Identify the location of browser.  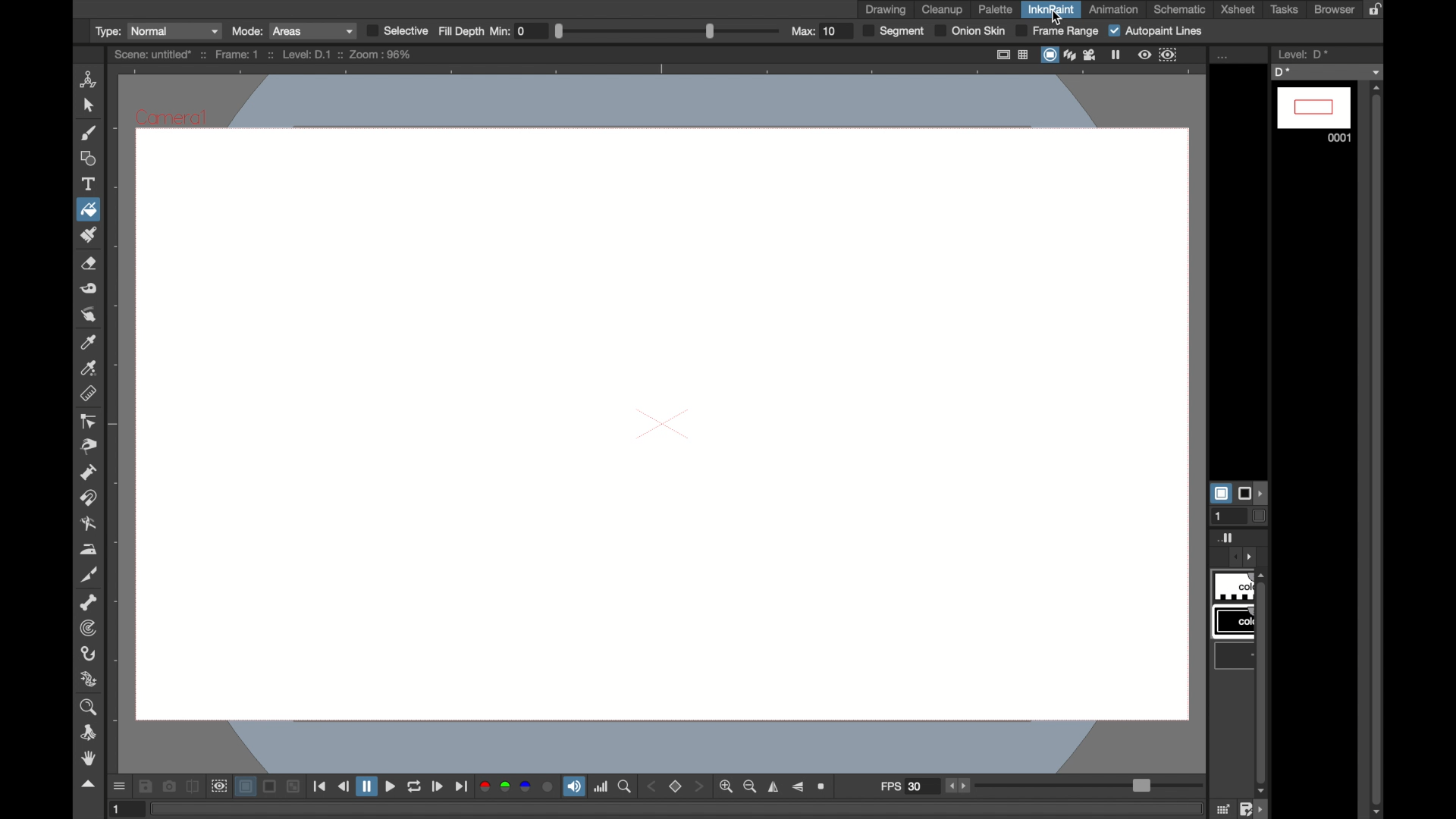
(1335, 9).